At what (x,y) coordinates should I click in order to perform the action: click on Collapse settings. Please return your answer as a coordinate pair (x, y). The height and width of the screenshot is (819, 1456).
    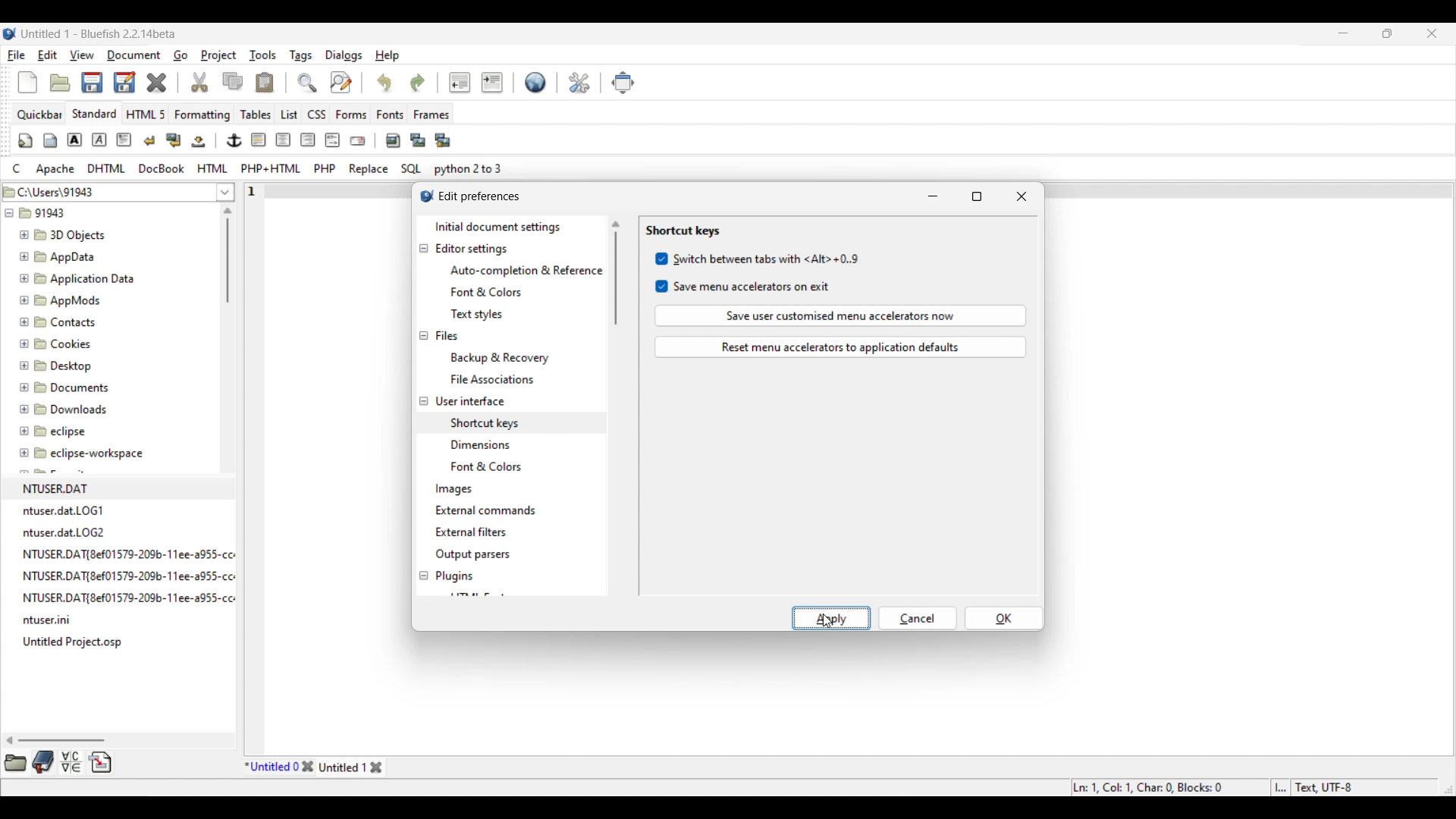
    Looking at the image, I should click on (423, 413).